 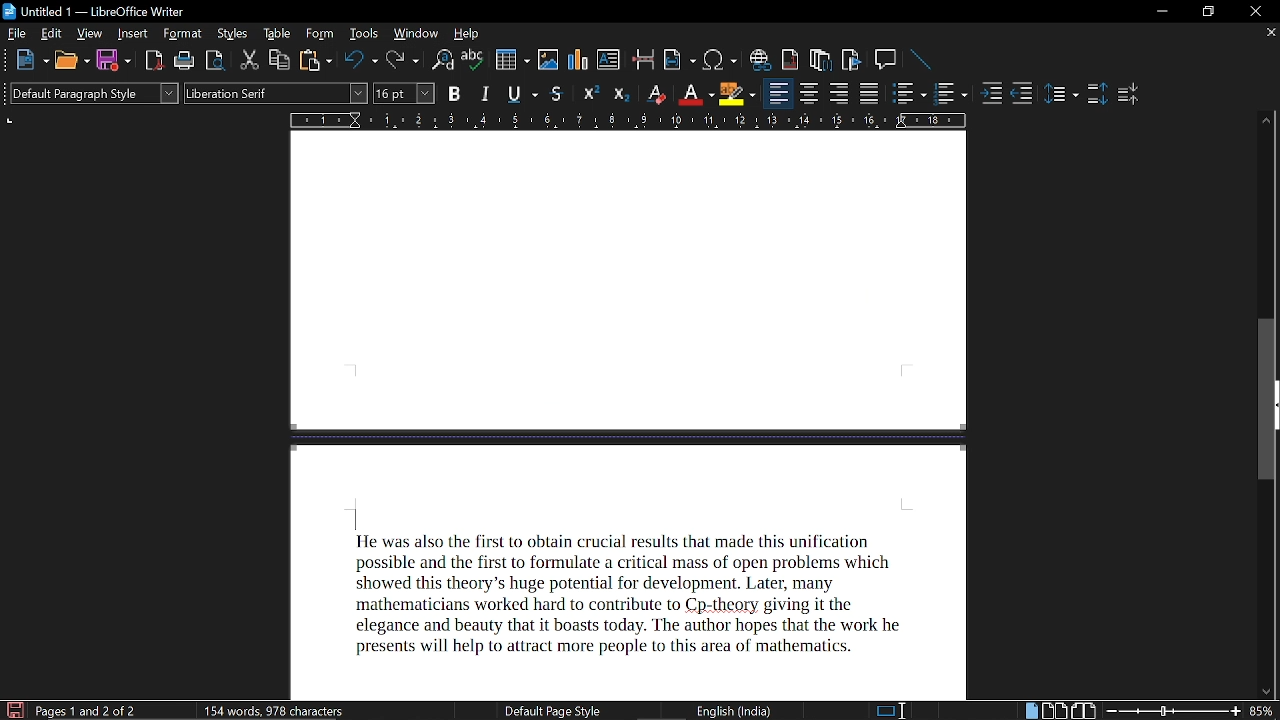 What do you see at coordinates (523, 94) in the screenshot?
I see `Underline` at bounding box center [523, 94].